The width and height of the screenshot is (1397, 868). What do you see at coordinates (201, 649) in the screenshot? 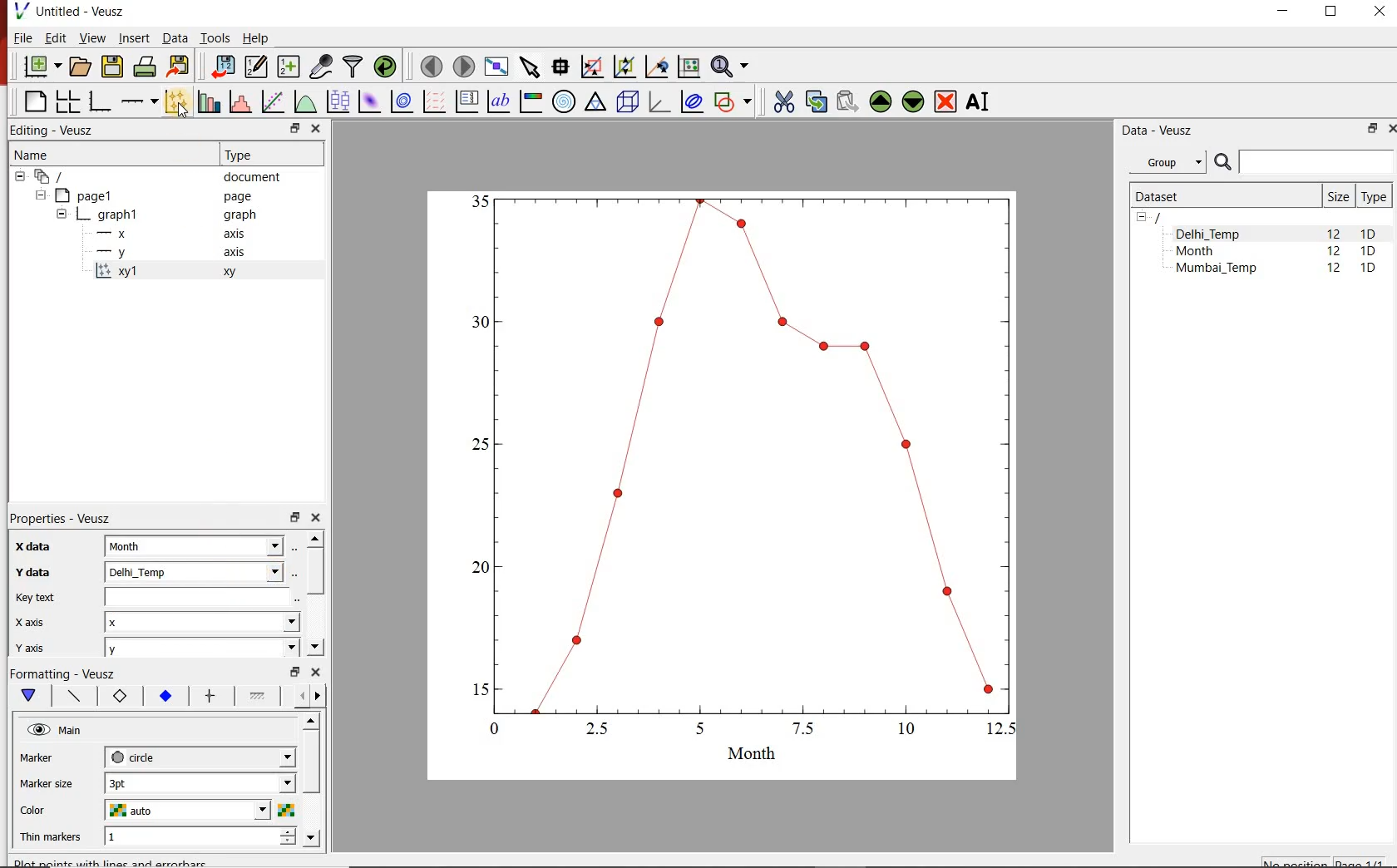
I see `y` at bounding box center [201, 649].